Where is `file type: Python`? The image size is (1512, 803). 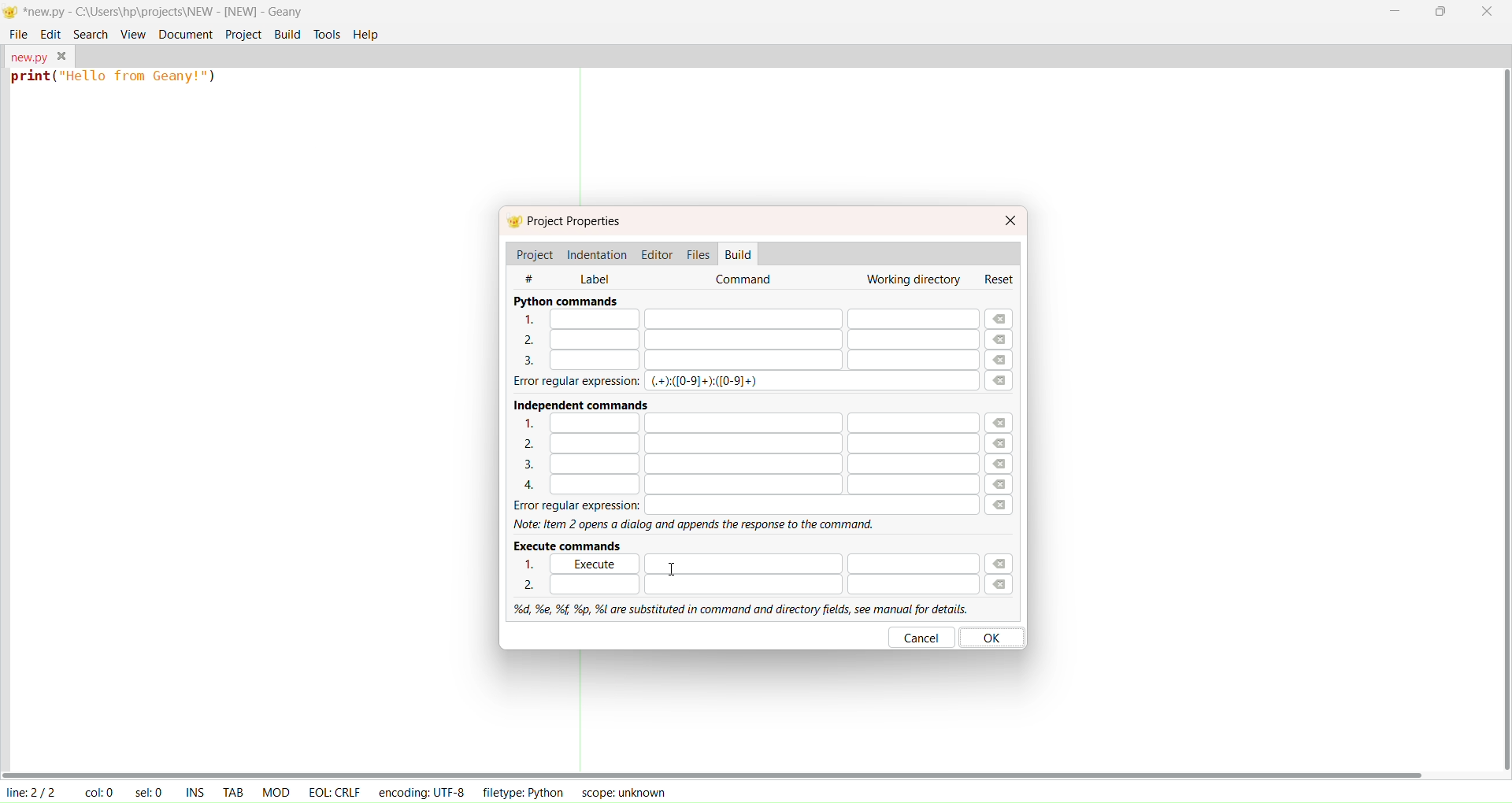 file type: Python is located at coordinates (521, 794).